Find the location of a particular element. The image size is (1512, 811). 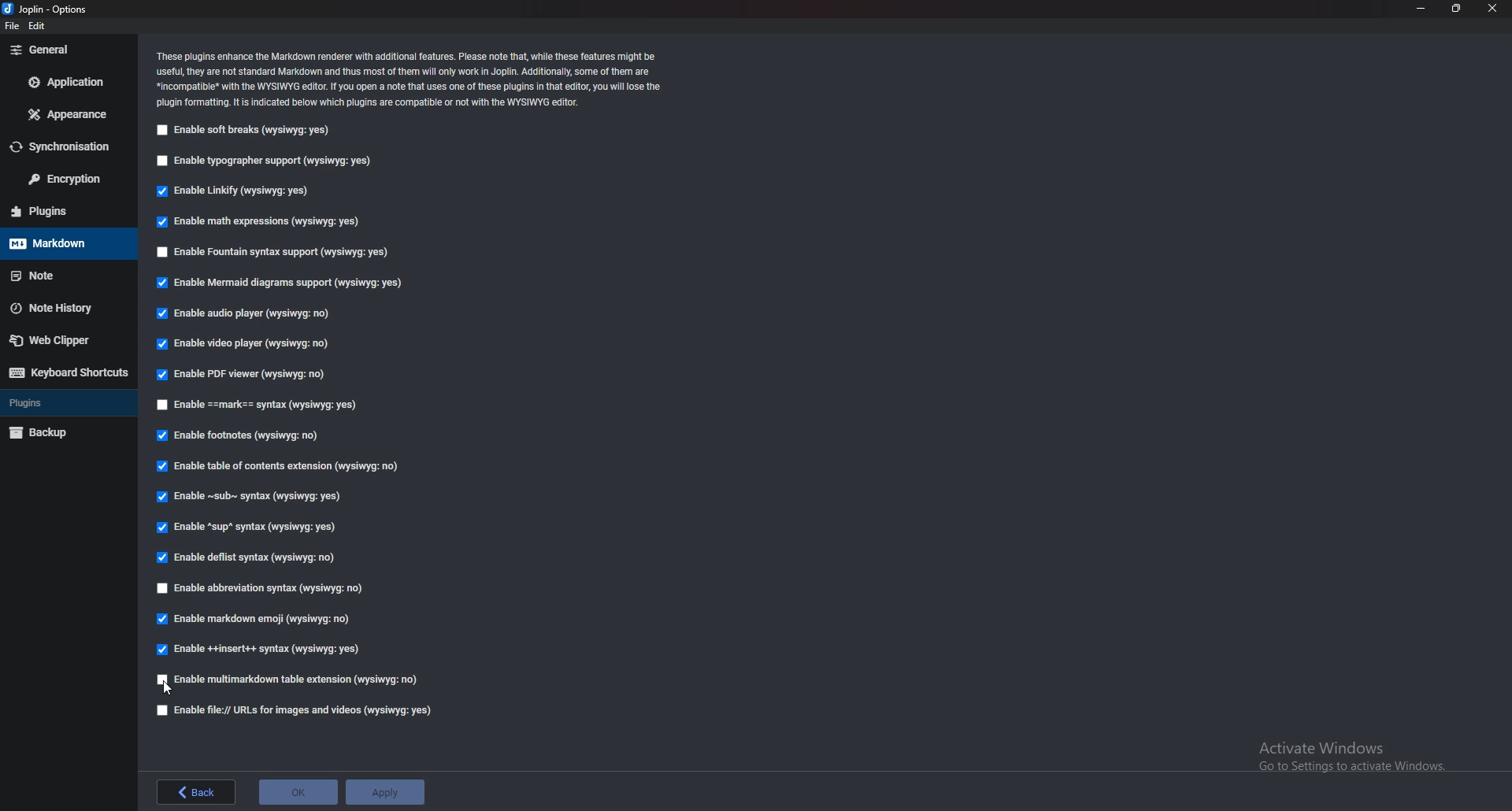

Application is located at coordinates (65, 83).